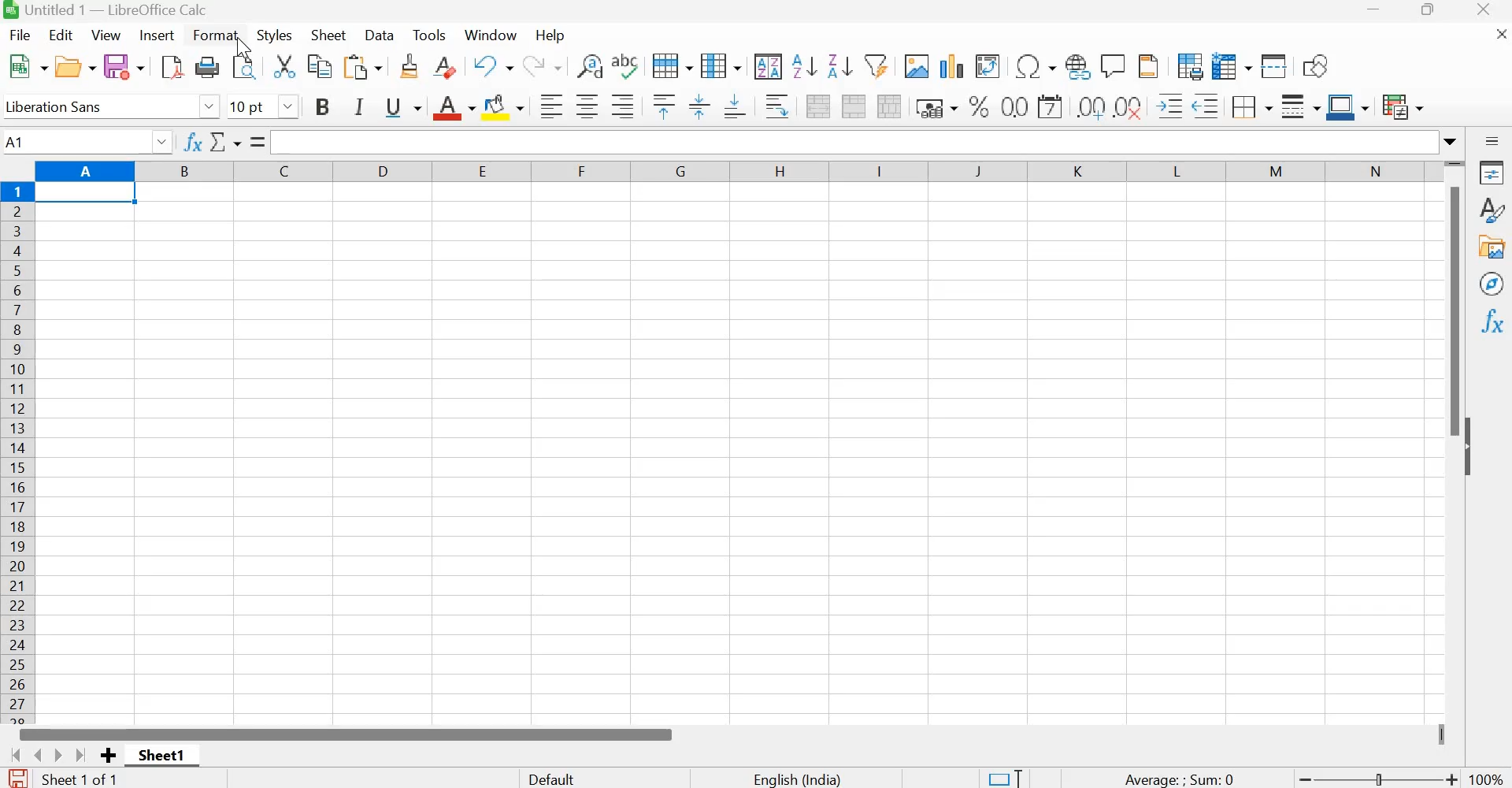 This screenshot has height=788, width=1512. I want to click on Copy, so click(321, 68).